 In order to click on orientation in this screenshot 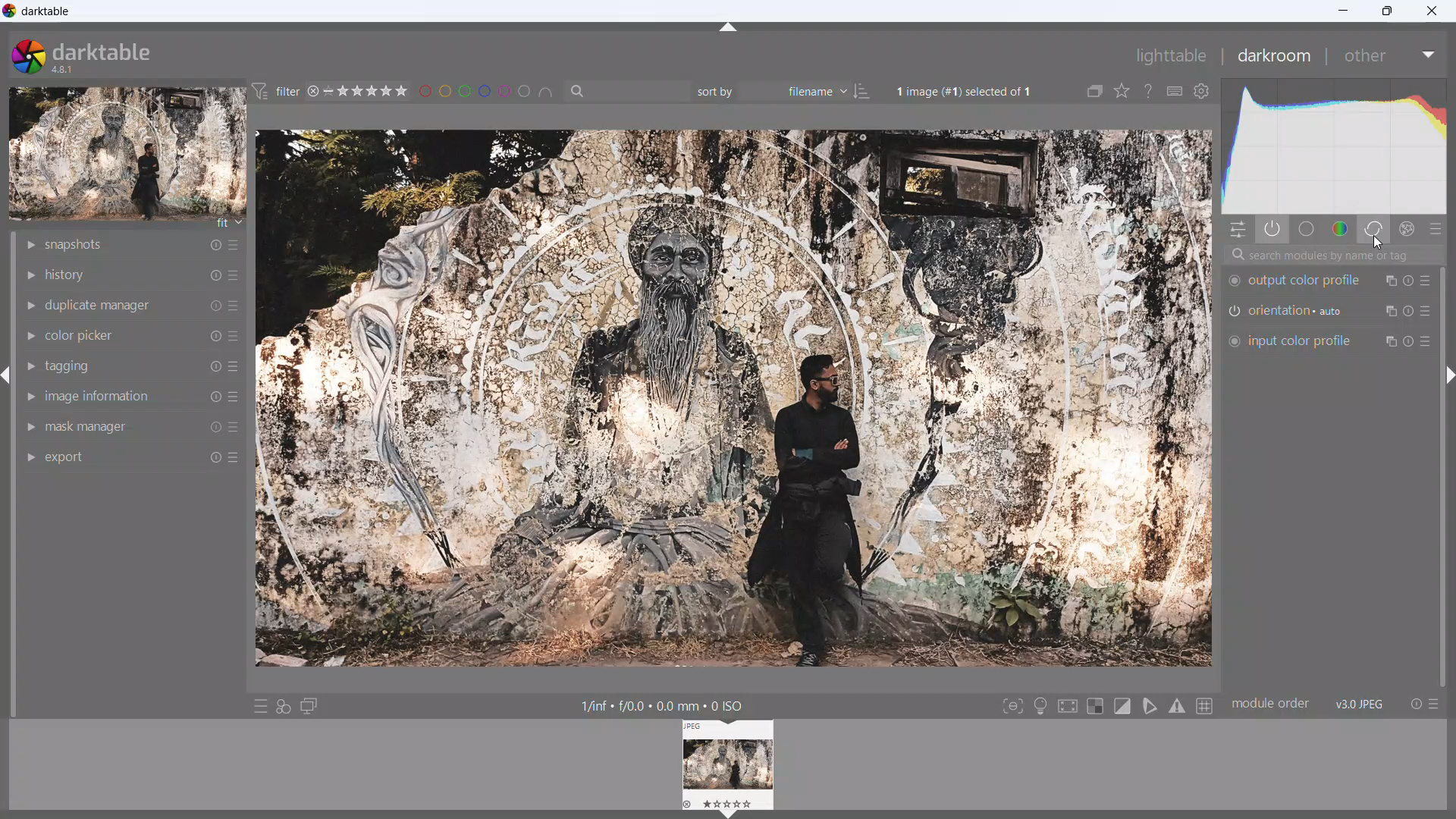, I will do `click(1300, 311)`.